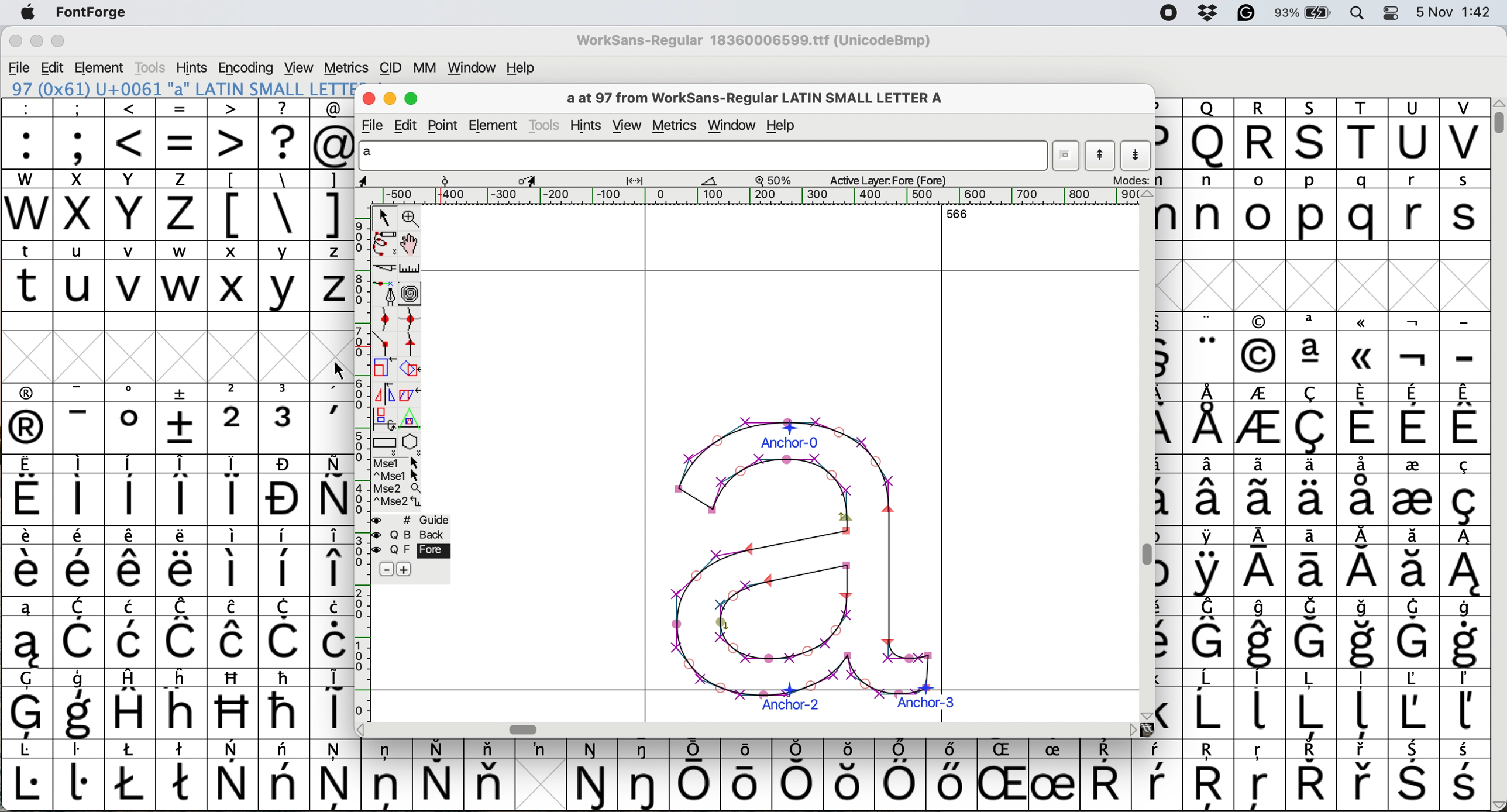  Describe the element at coordinates (384, 442) in the screenshot. I see `Rectangle or box` at that location.